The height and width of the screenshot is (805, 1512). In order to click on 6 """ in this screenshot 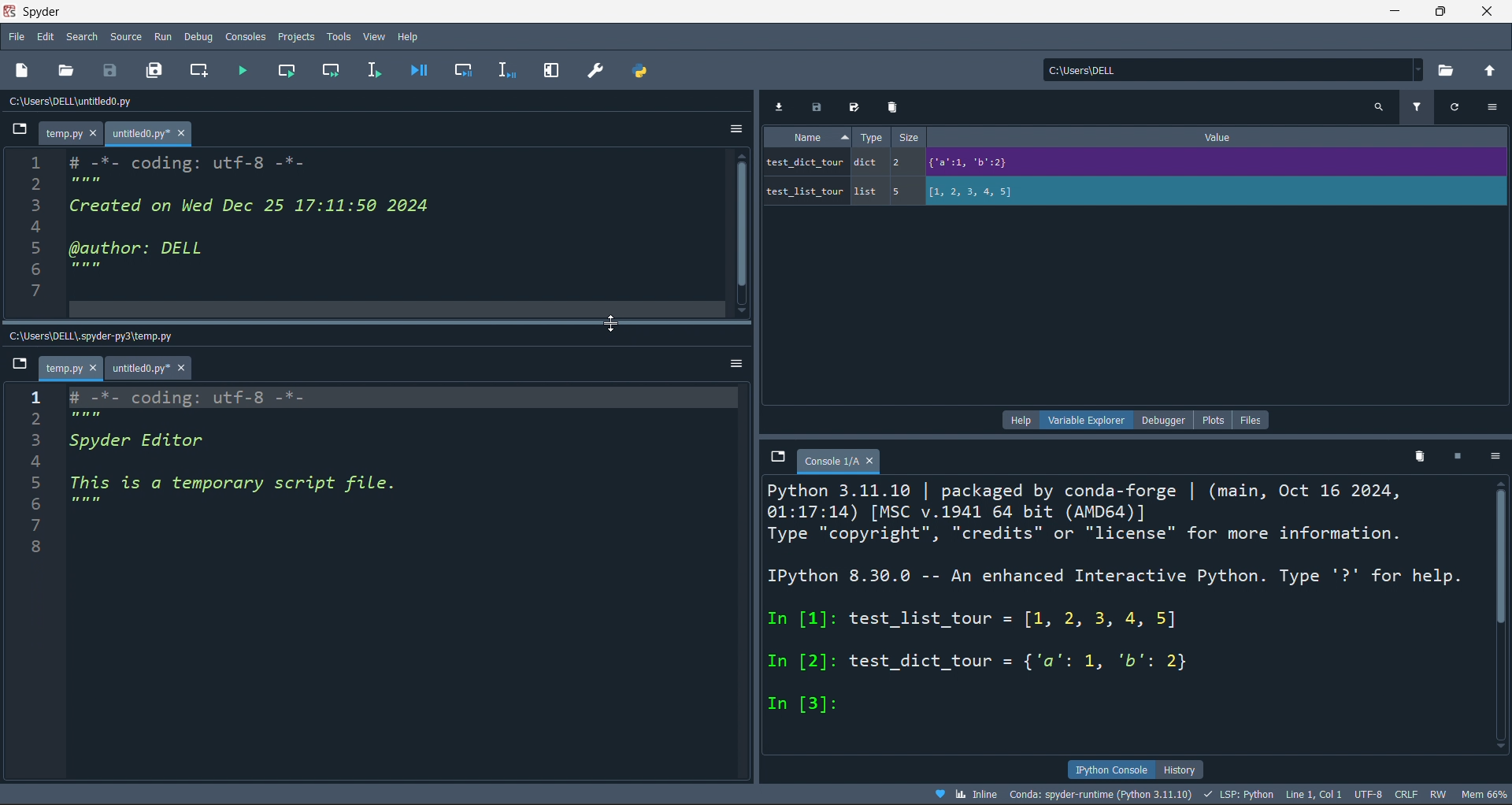, I will do `click(91, 505)`.